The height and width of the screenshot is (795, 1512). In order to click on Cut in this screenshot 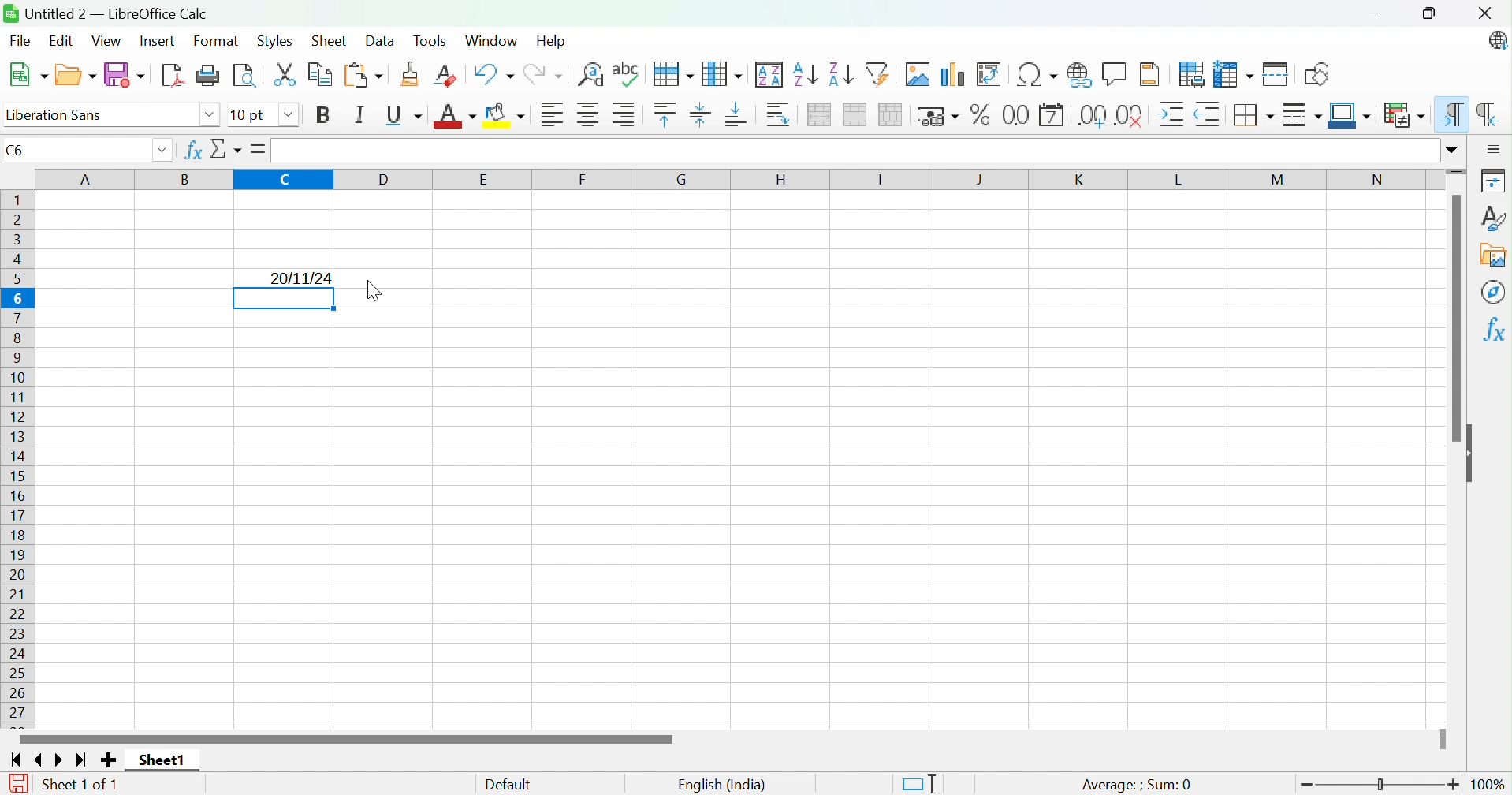, I will do `click(286, 75)`.